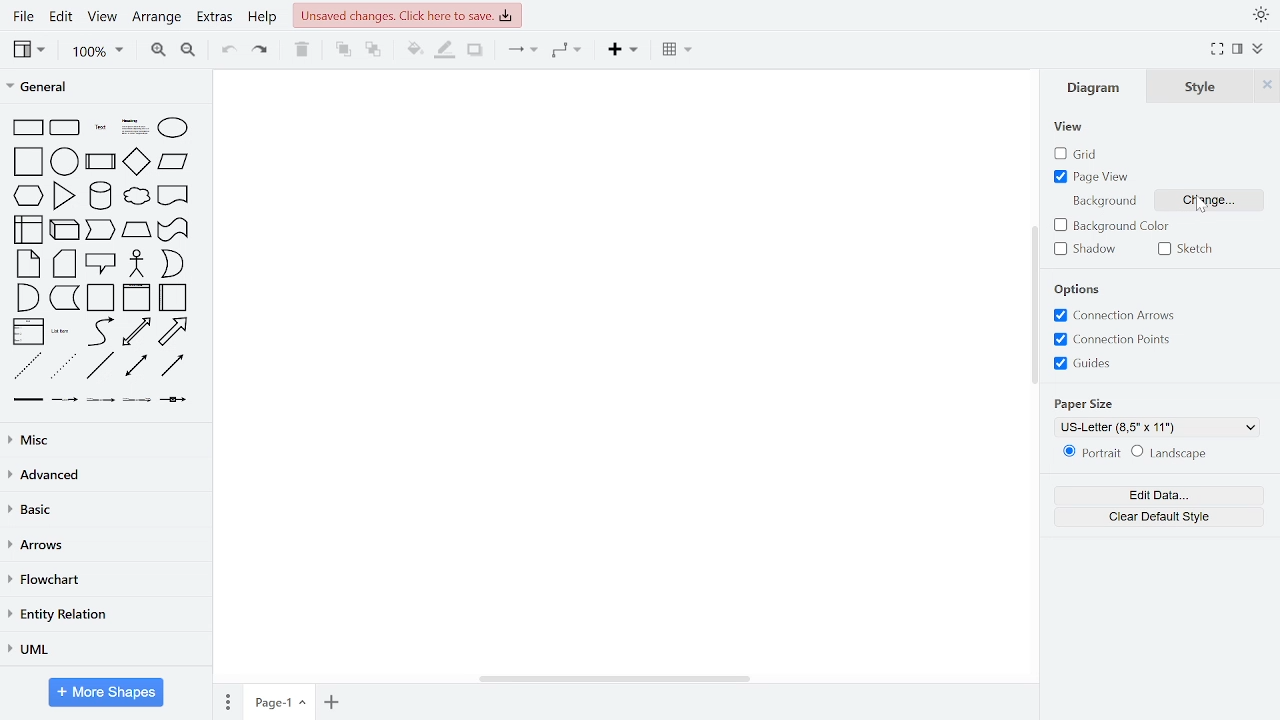  I want to click on general shapes, so click(173, 400).